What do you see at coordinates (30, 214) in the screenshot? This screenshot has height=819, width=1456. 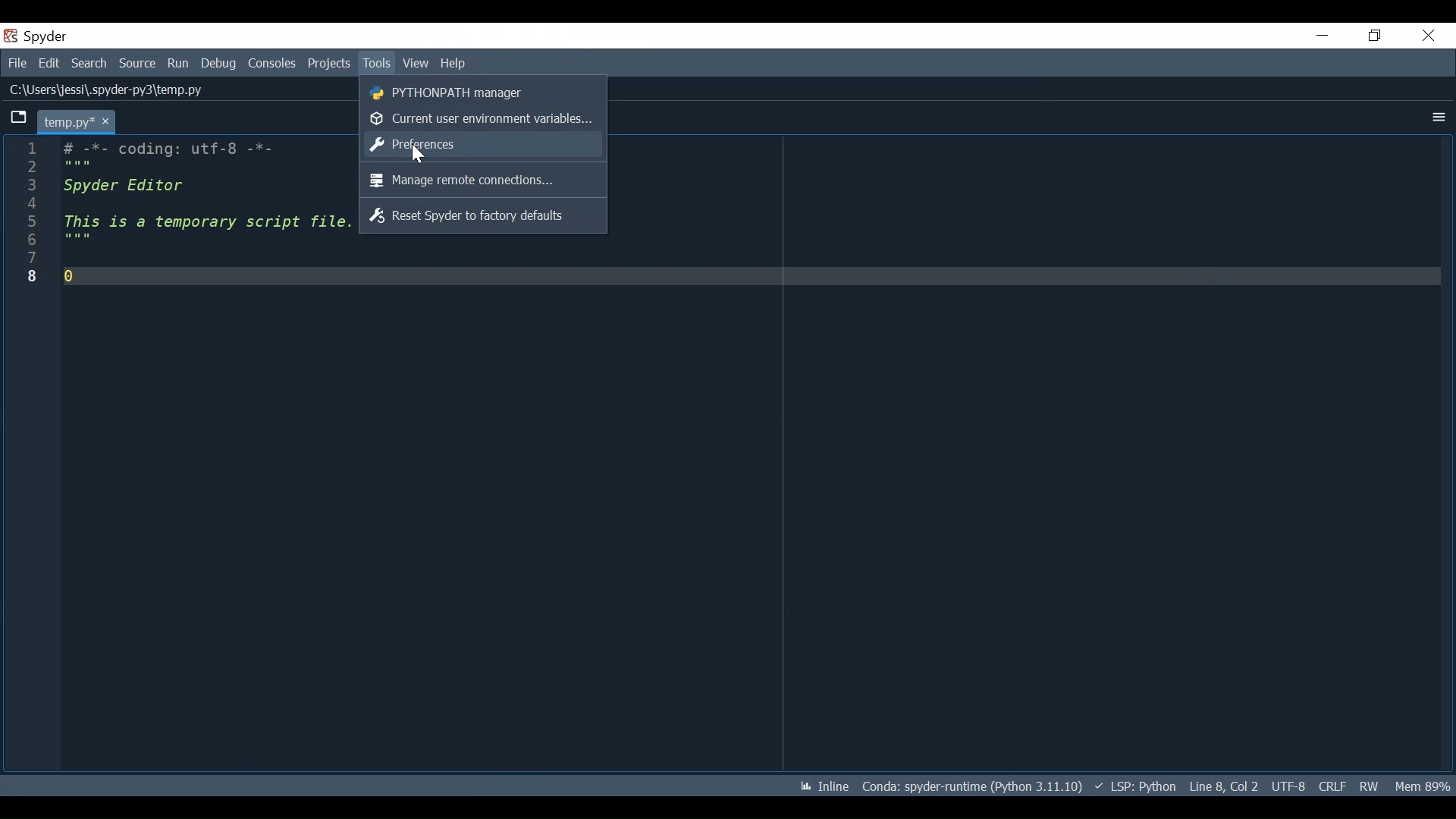 I see `line numbers` at bounding box center [30, 214].